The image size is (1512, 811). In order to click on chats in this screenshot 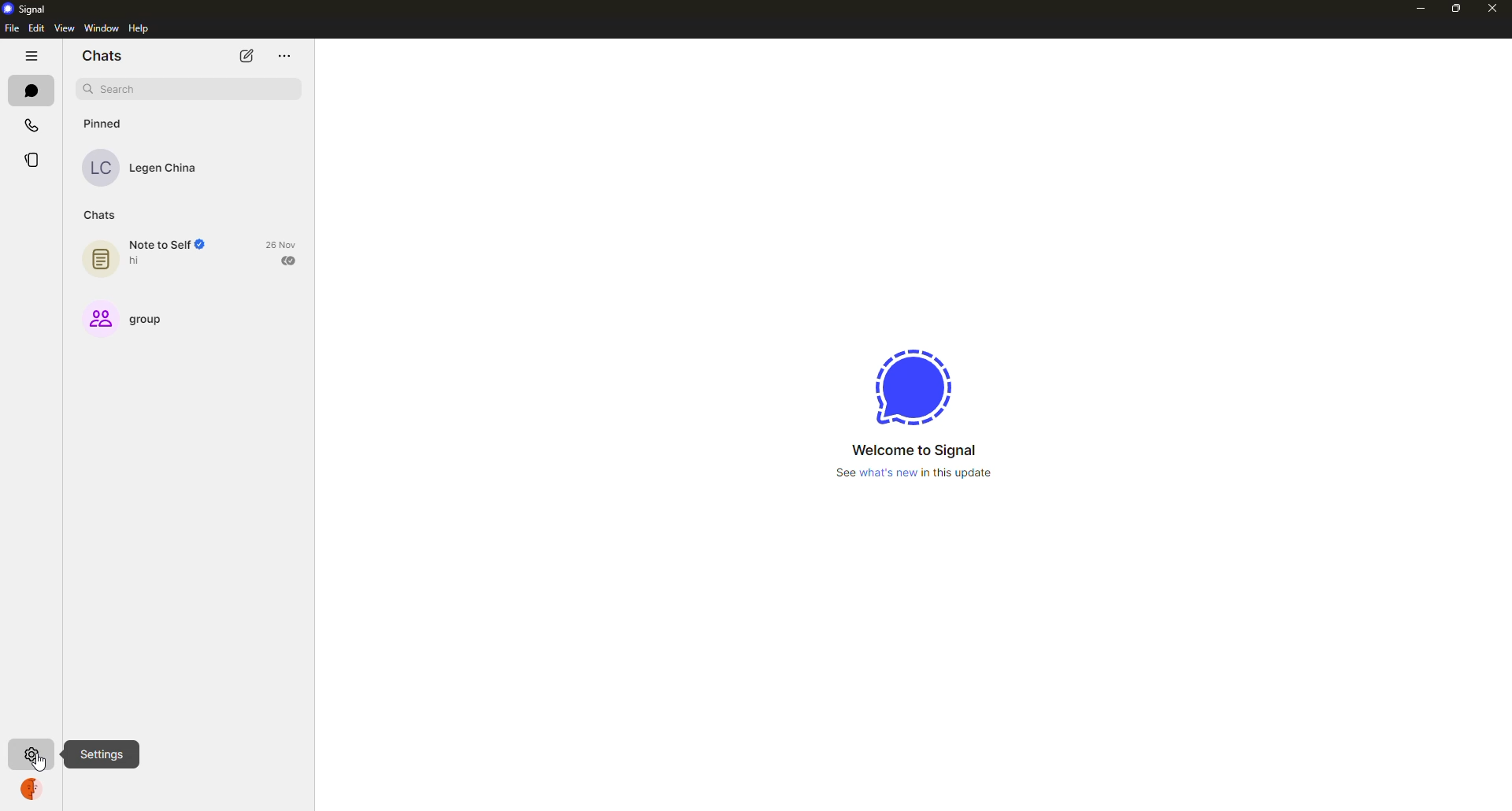, I will do `click(31, 92)`.